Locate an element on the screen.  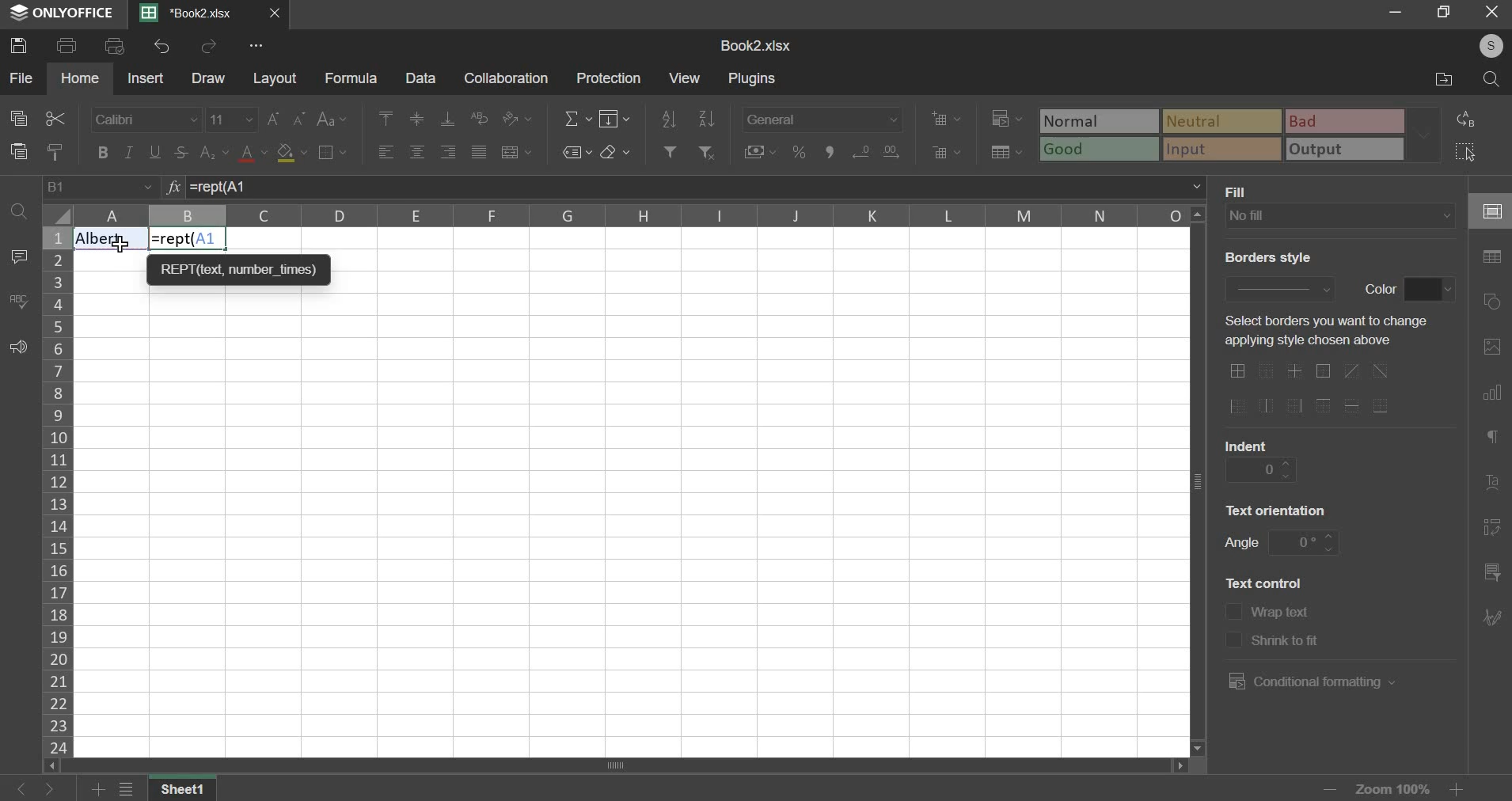
change case is located at coordinates (332, 120).